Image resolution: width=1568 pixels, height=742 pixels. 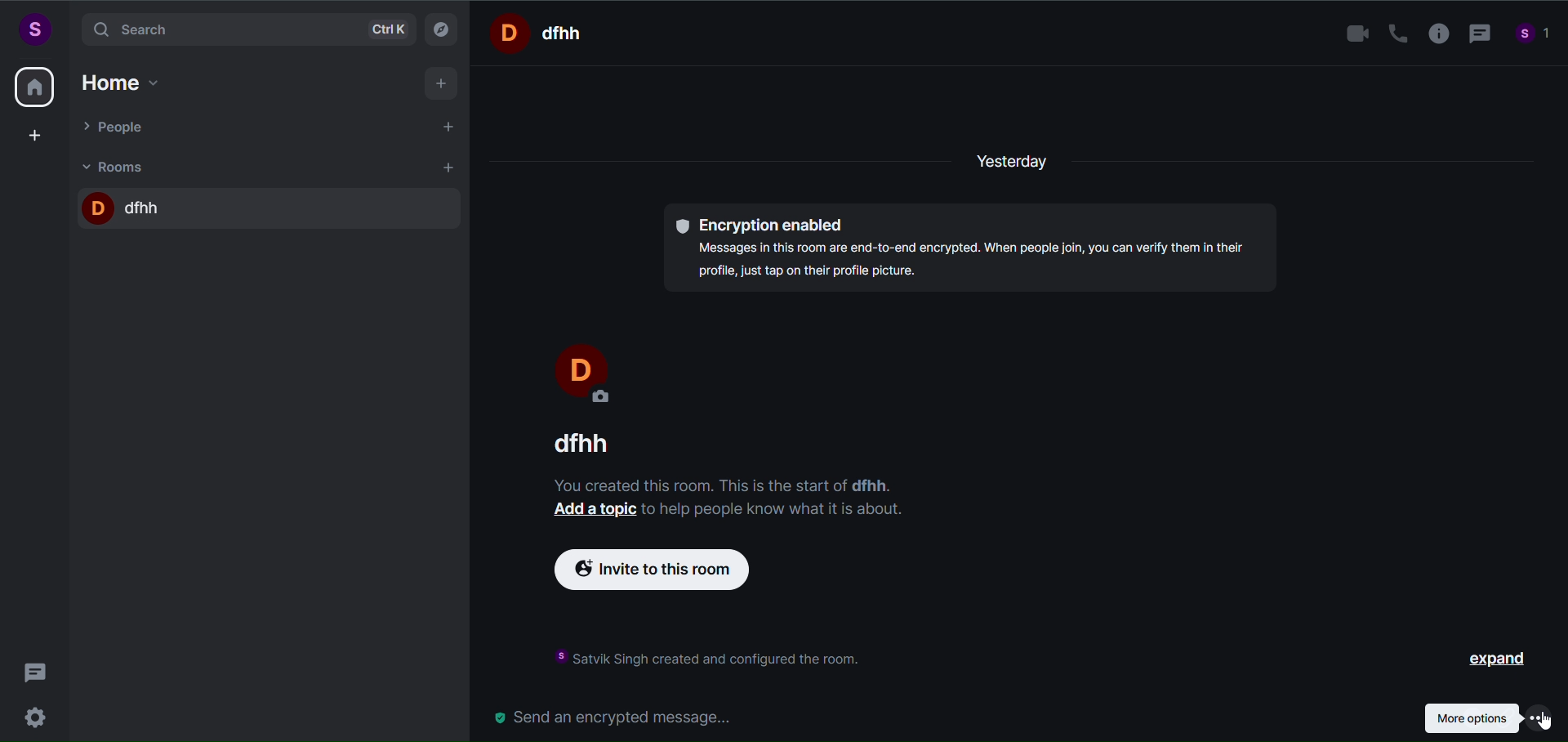 What do you see at coordinates (35, 135) in the screenshot?
I see `create space` at bounding box center [35, 135].